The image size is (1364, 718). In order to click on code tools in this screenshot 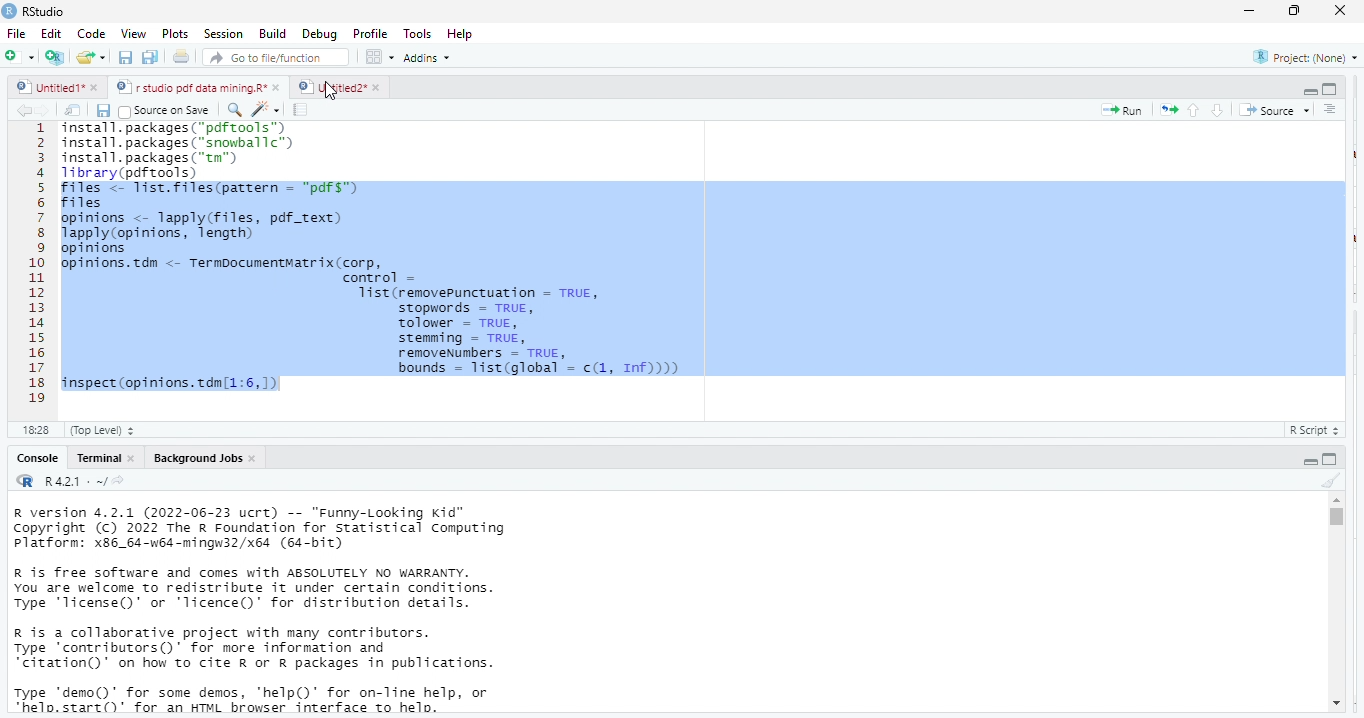, I will do `click(265, 108)`.